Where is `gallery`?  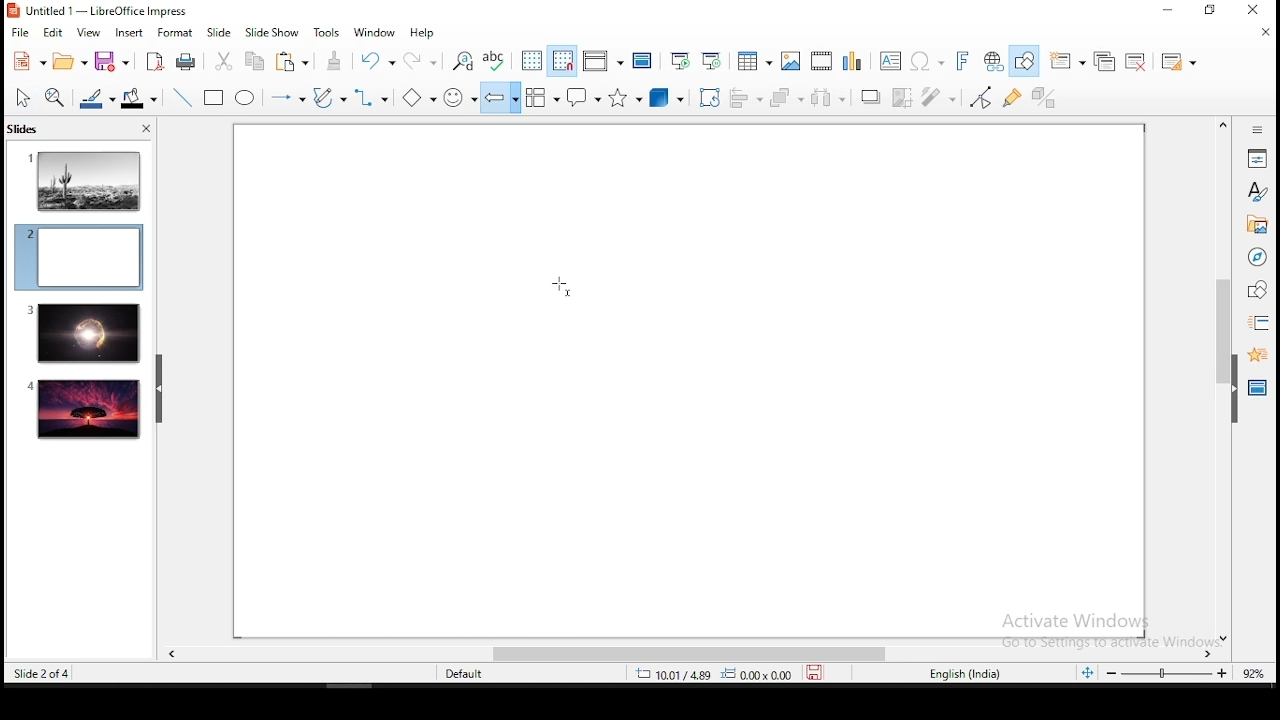 gallery is located at coordinates (1257, 227).